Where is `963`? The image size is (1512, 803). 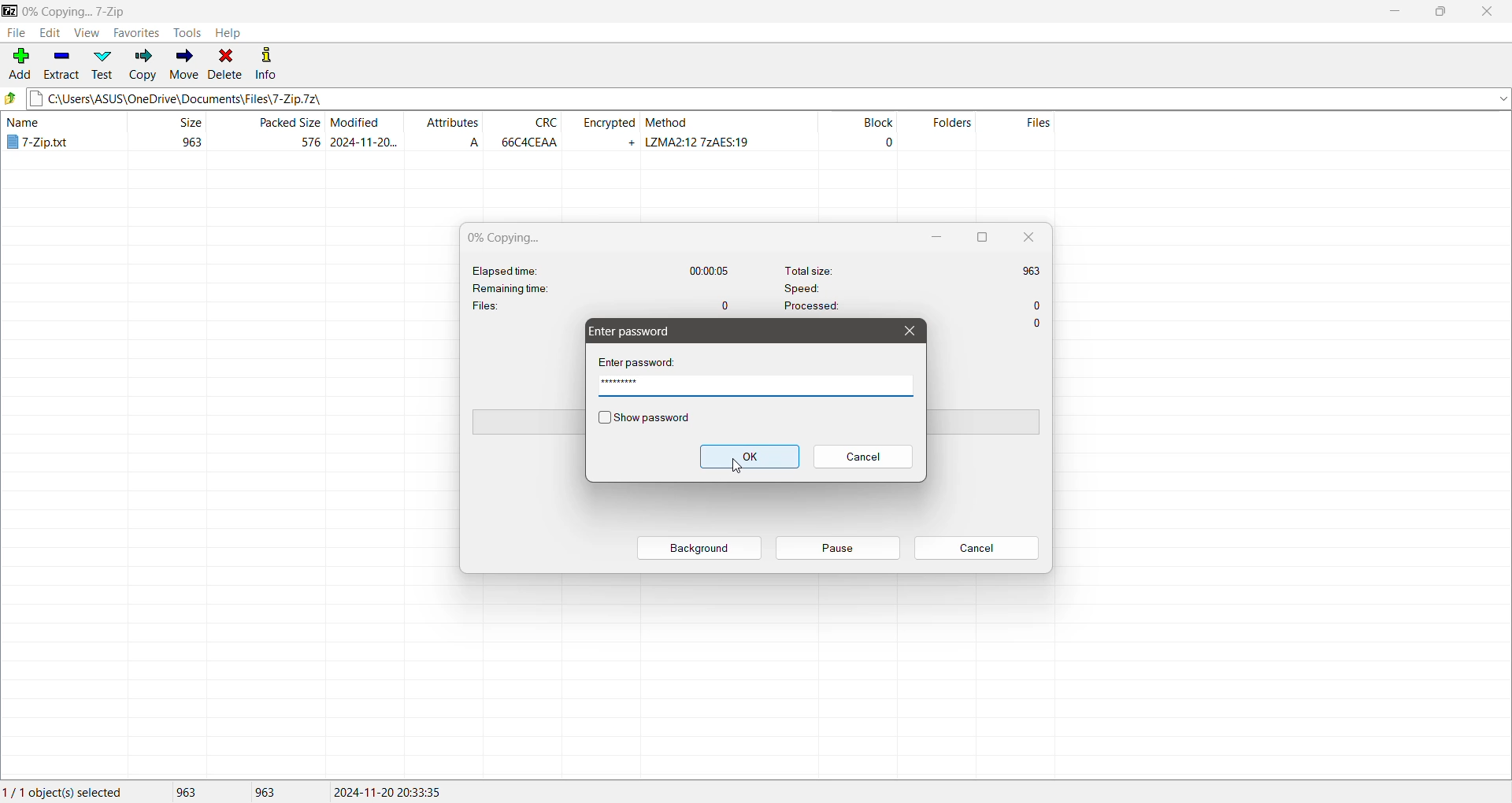
963 is located at coordinates (194, 793).